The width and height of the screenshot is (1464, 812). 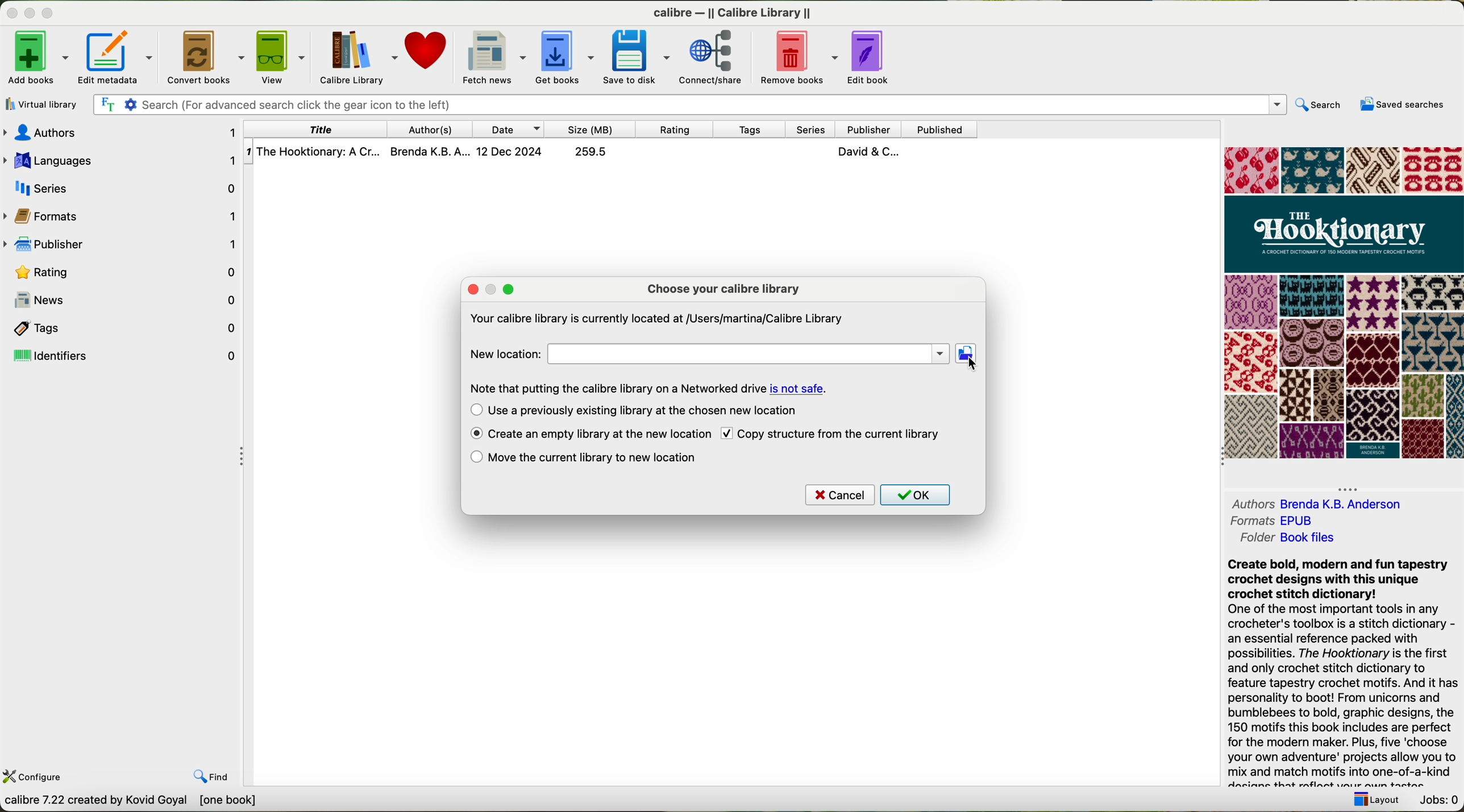 I want to click on publisher, so click(x=871, y=130).